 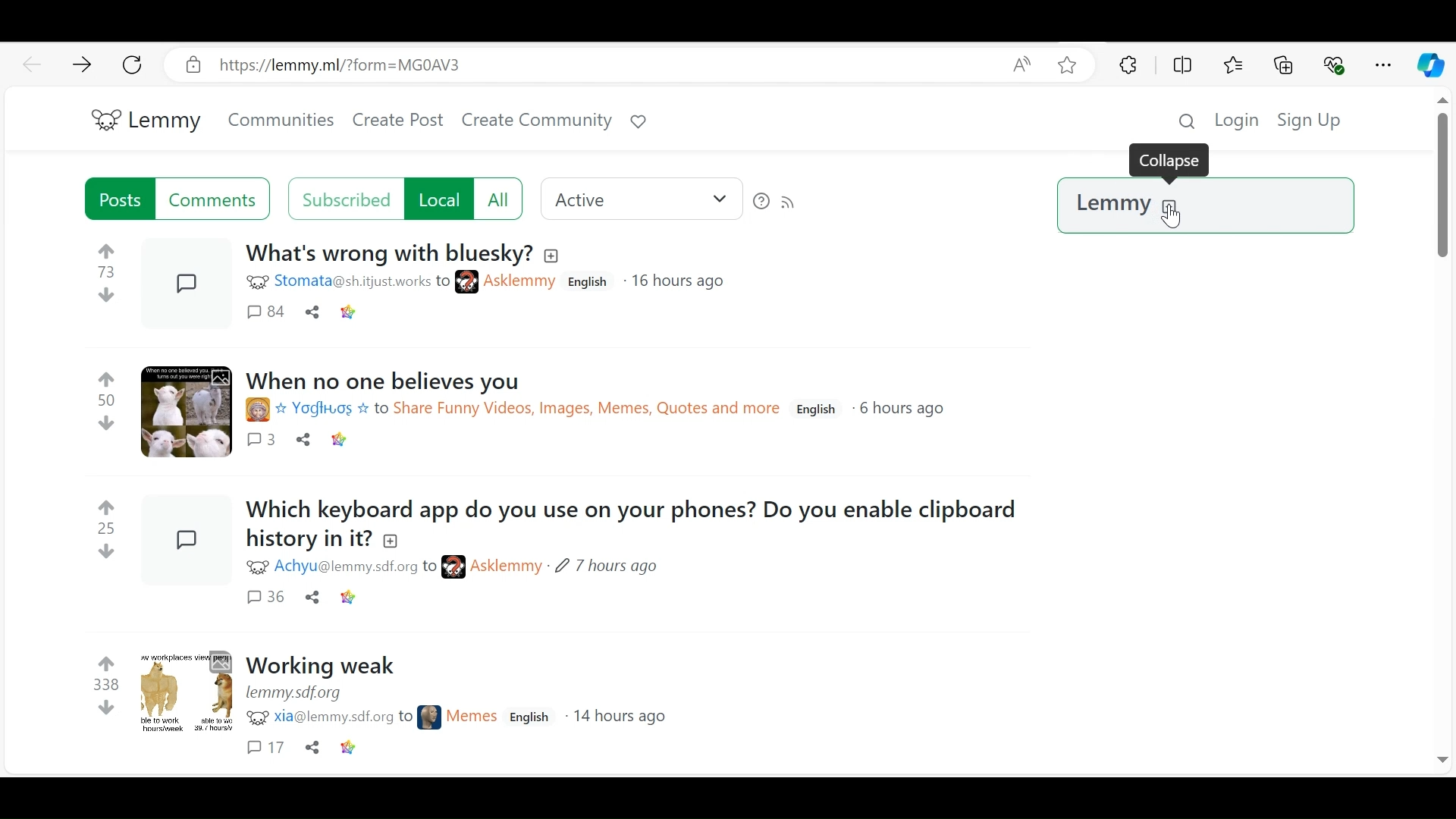 I want to click on Communities, so click(x=281, y=121).